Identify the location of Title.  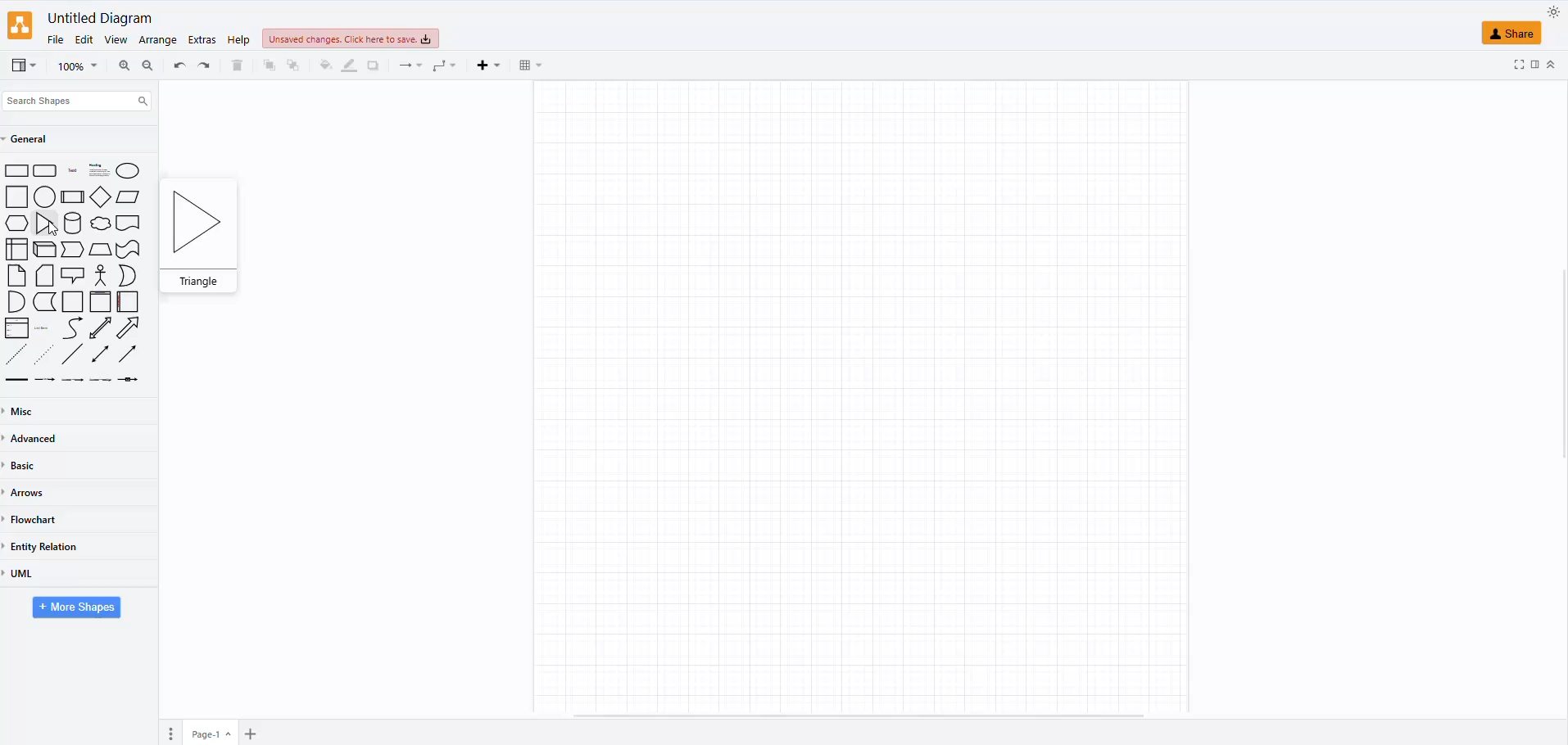
(74, 171).